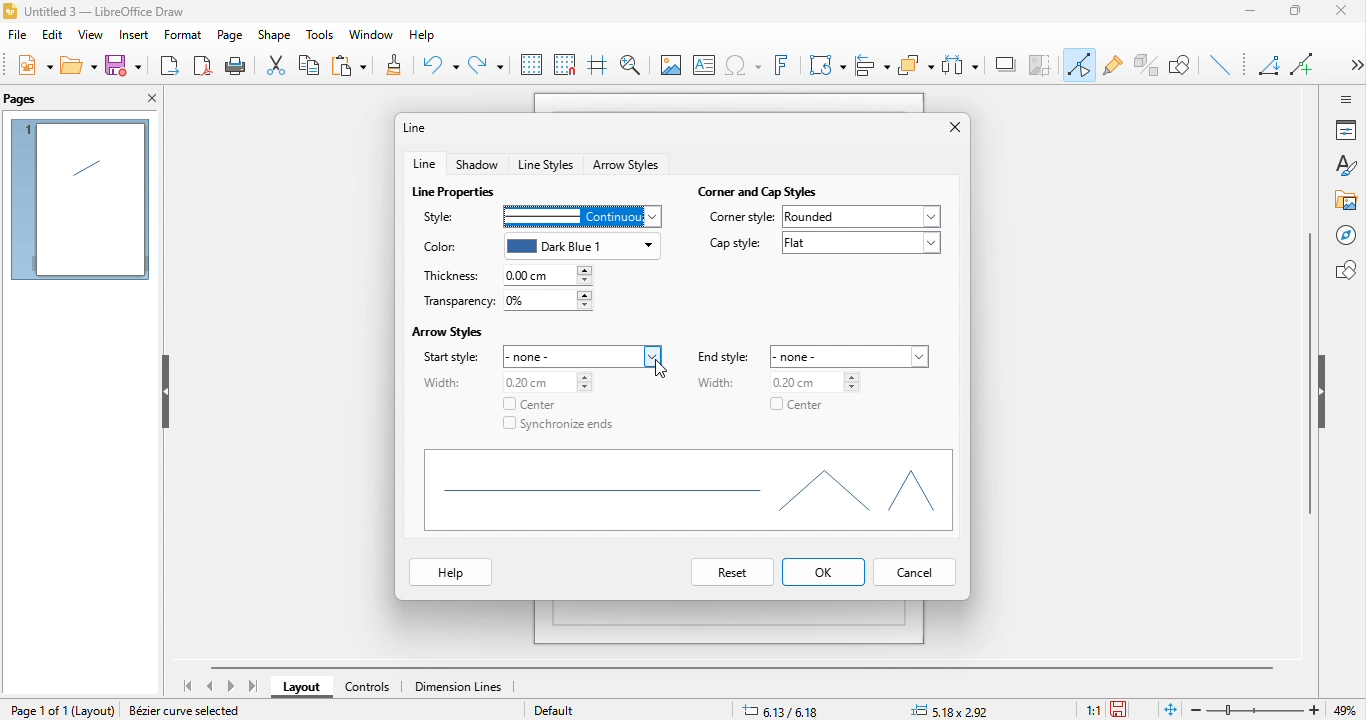  What do you see at coordinates (1346, 130) in the screenshot?
I see `properties` at bounding box center [1346, 130].